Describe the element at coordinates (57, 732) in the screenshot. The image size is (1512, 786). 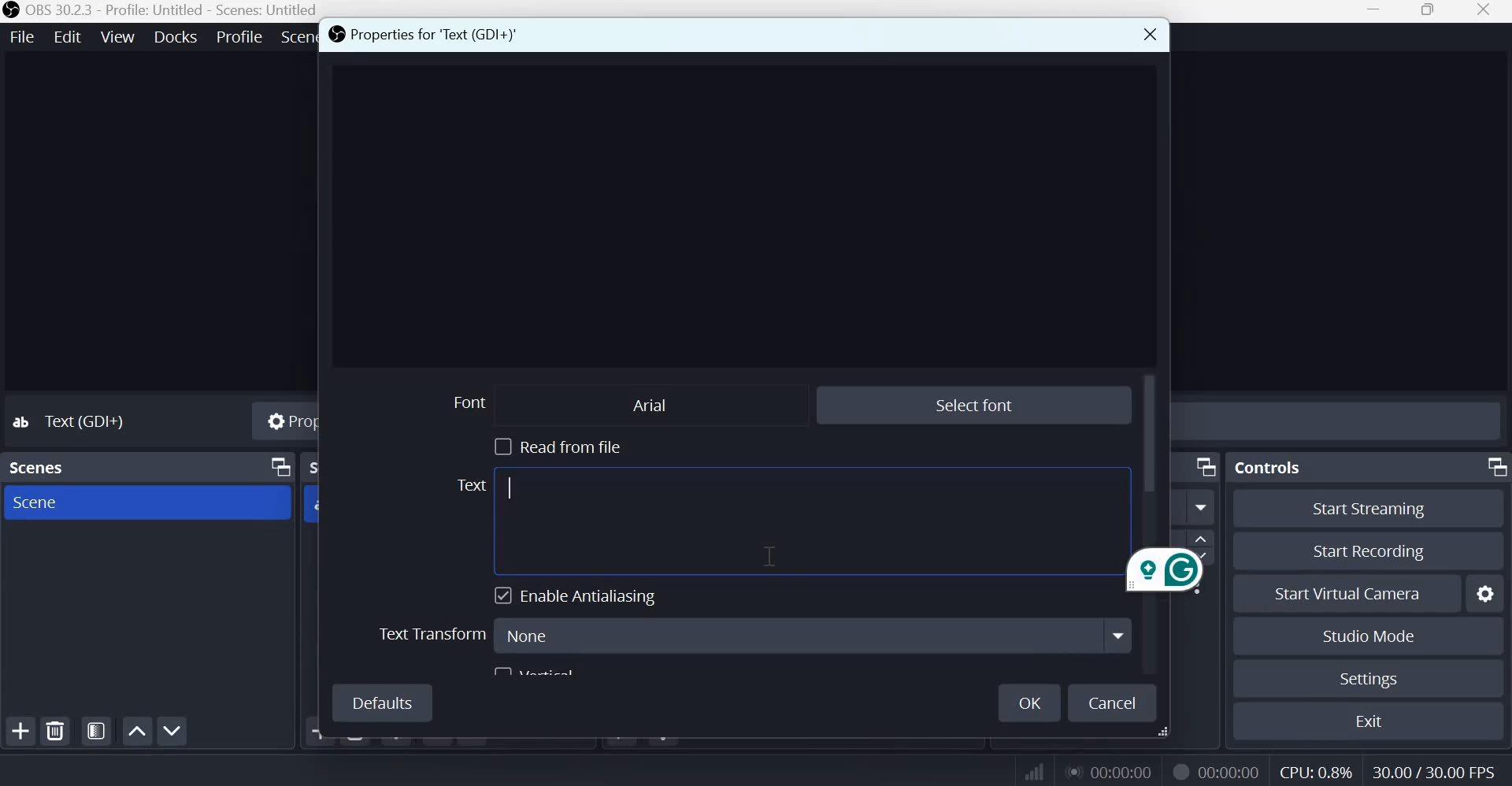
I see `Remove selected scene` at that location.